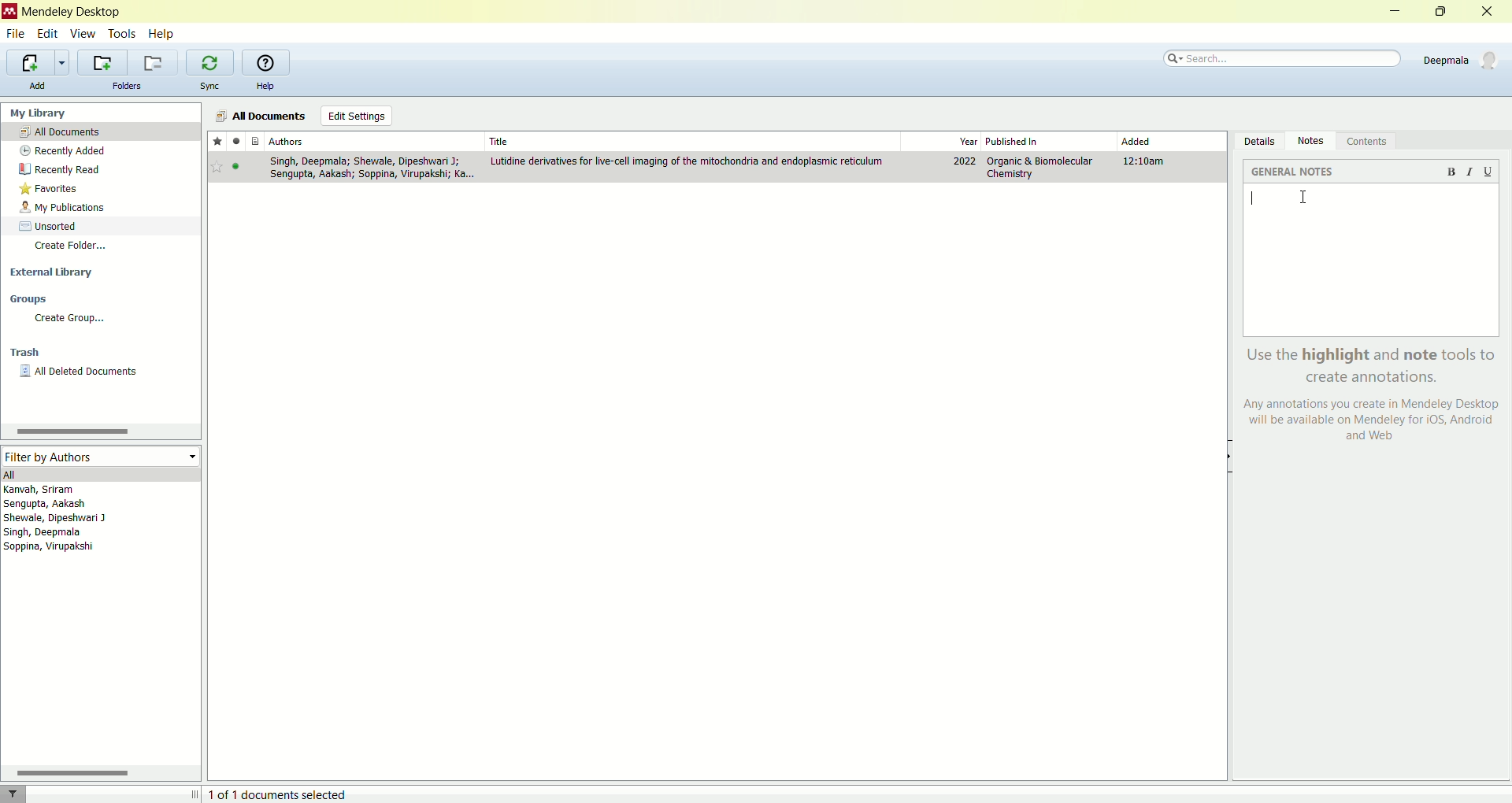 The height and width of the screenshot is (803, 1512). I want to click on contents, so click(1371, 140).